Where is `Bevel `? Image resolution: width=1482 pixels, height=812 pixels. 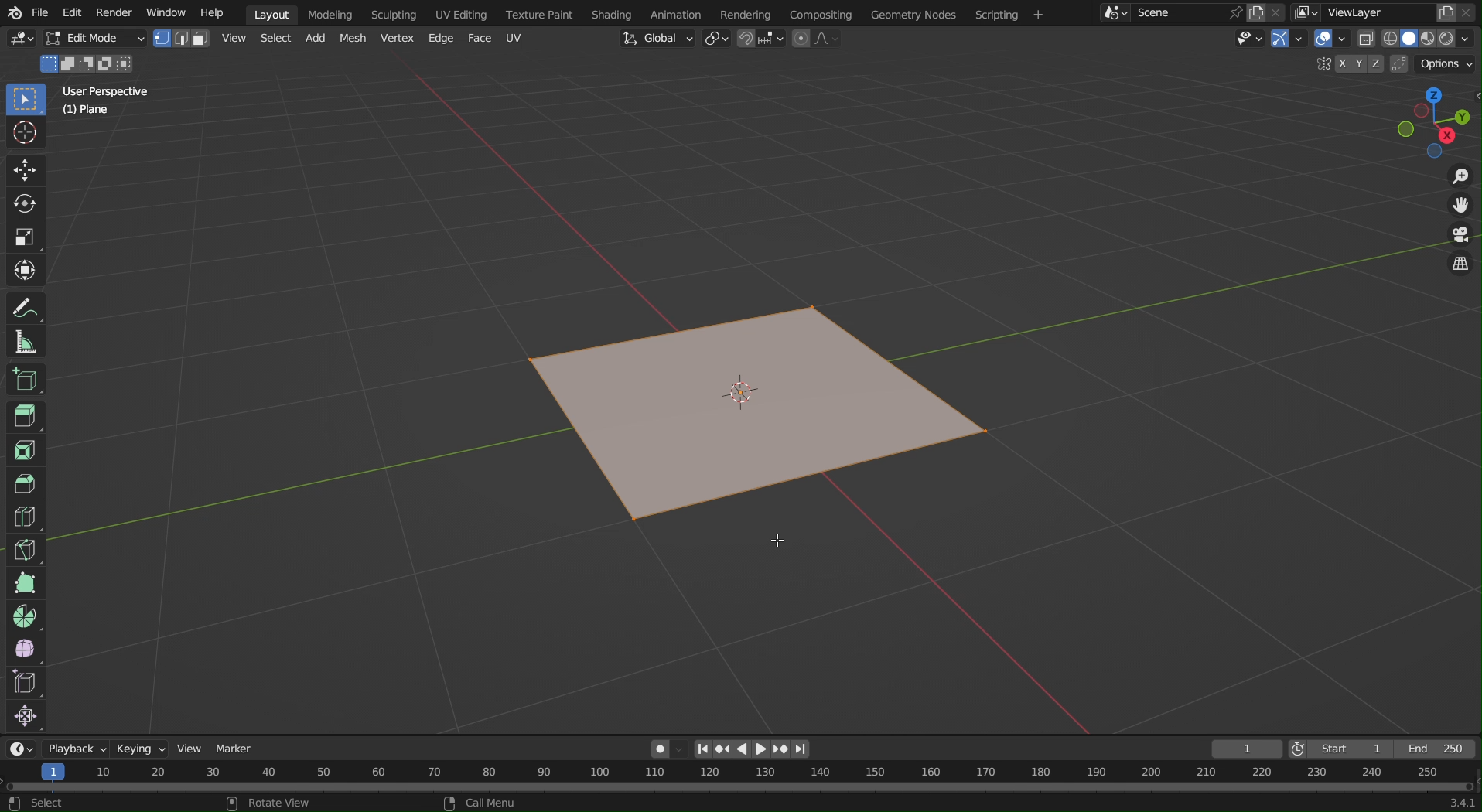
Bevel  is located at coordinates (25, 484).